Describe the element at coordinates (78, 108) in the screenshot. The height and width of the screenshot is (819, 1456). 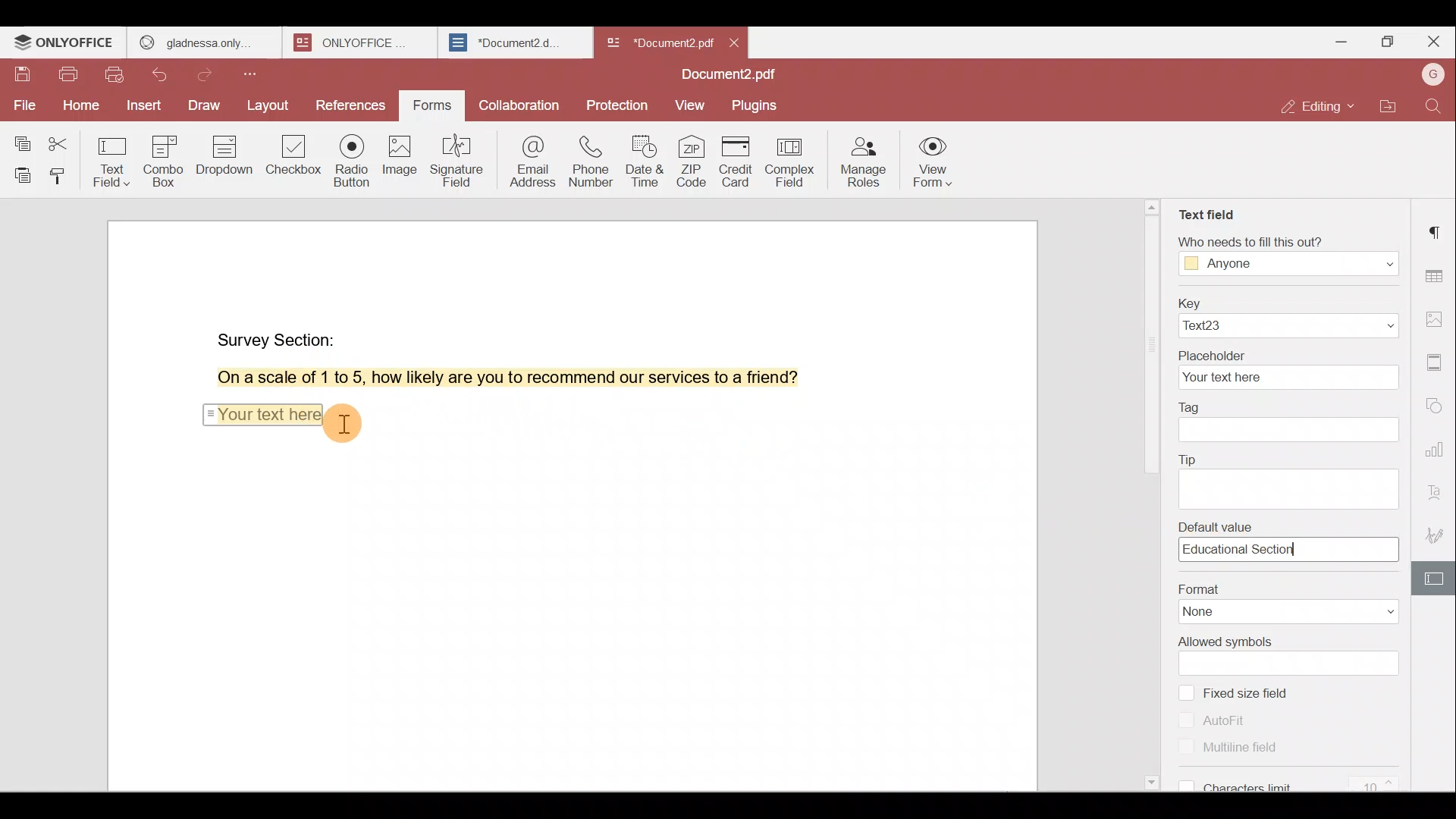
I see `Home` at that location.